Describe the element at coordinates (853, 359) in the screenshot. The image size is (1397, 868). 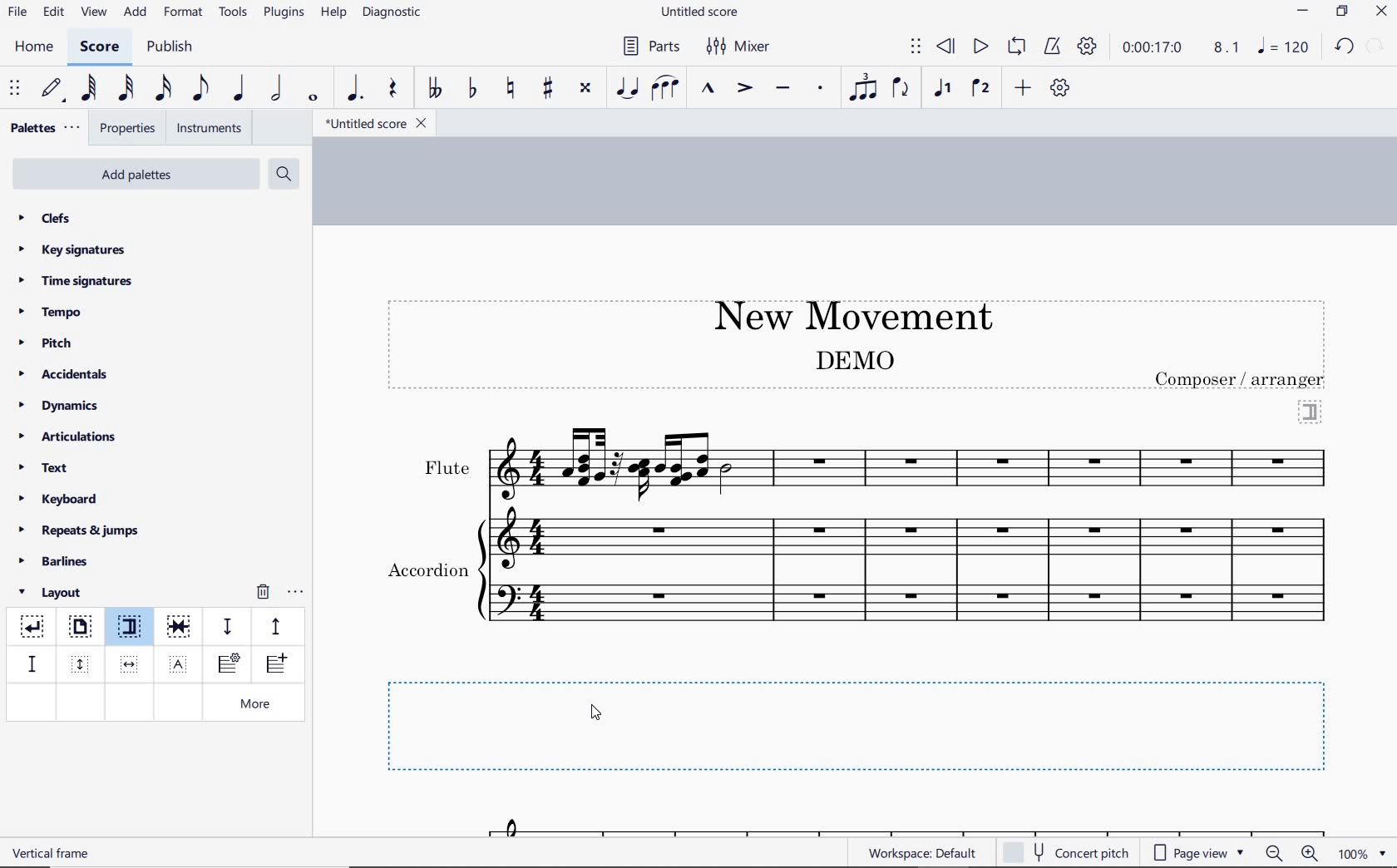
I see `text` at that location.